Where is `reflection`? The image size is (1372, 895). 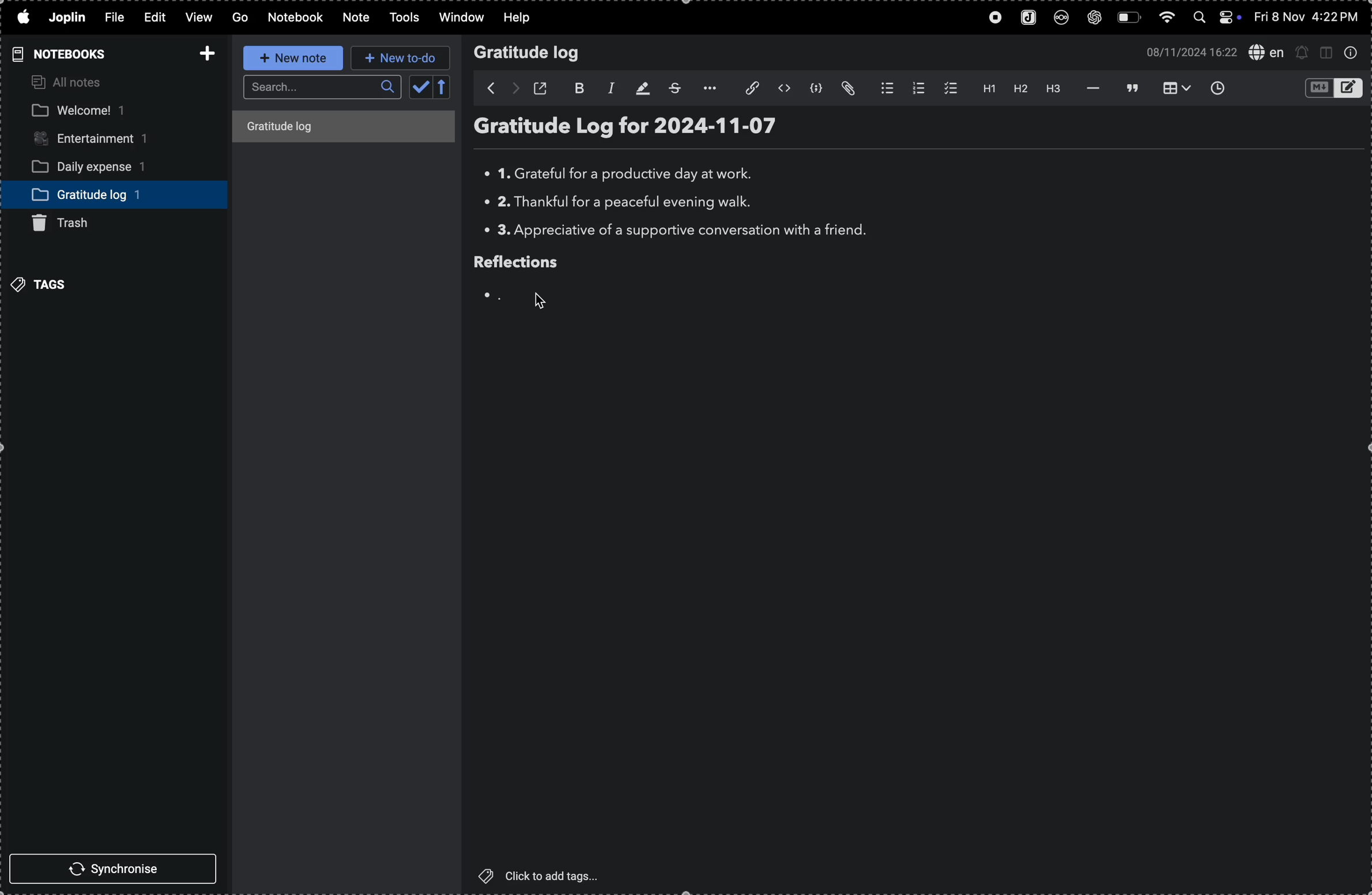 reflection is located at coordinates (532, 263).